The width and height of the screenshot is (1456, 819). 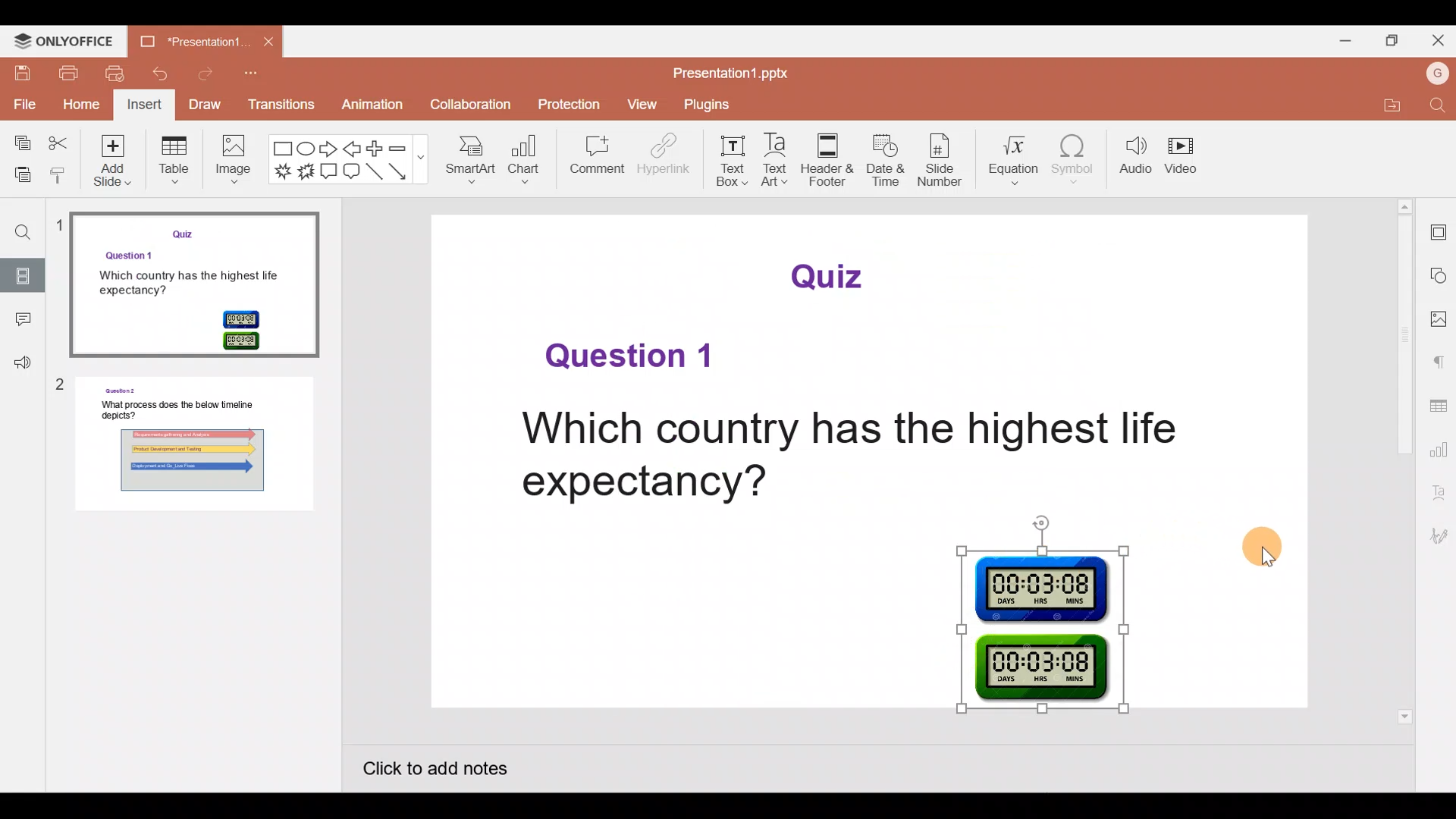 I want to click on Maximize, so click(x=1392, y=39).